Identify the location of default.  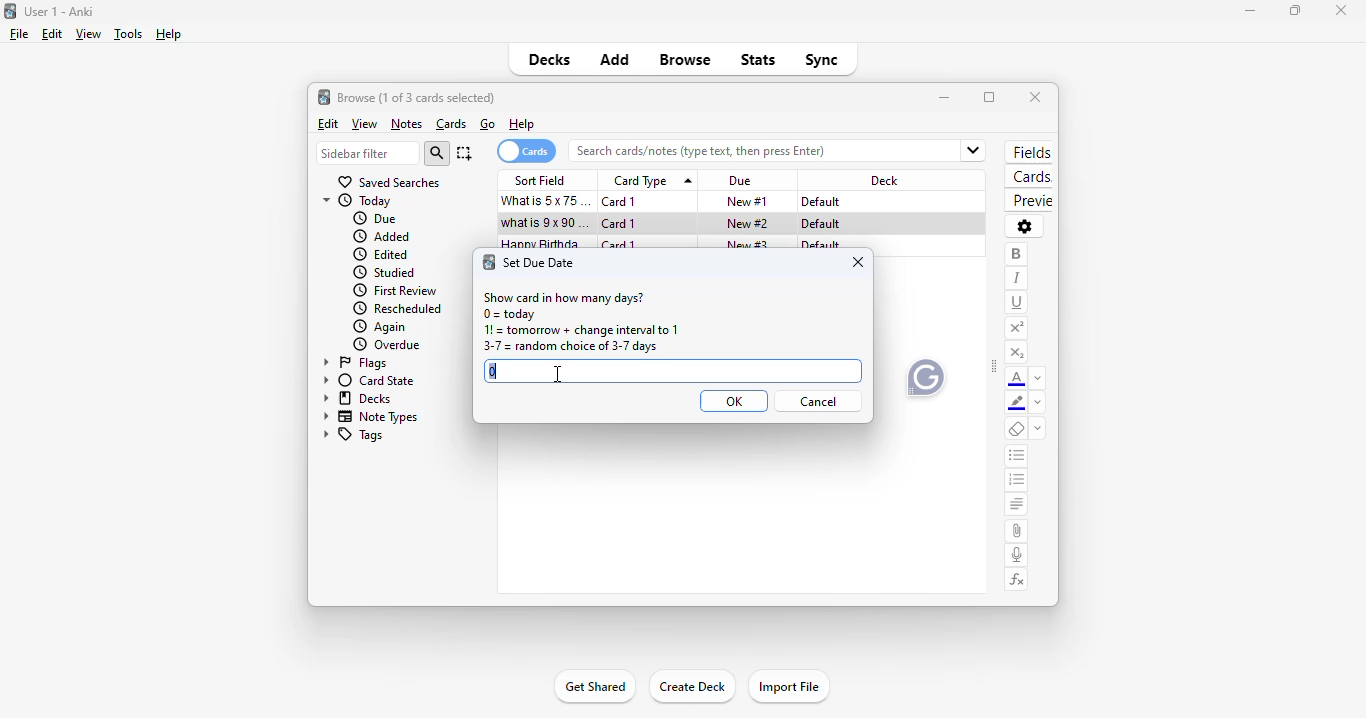
(821, 202).